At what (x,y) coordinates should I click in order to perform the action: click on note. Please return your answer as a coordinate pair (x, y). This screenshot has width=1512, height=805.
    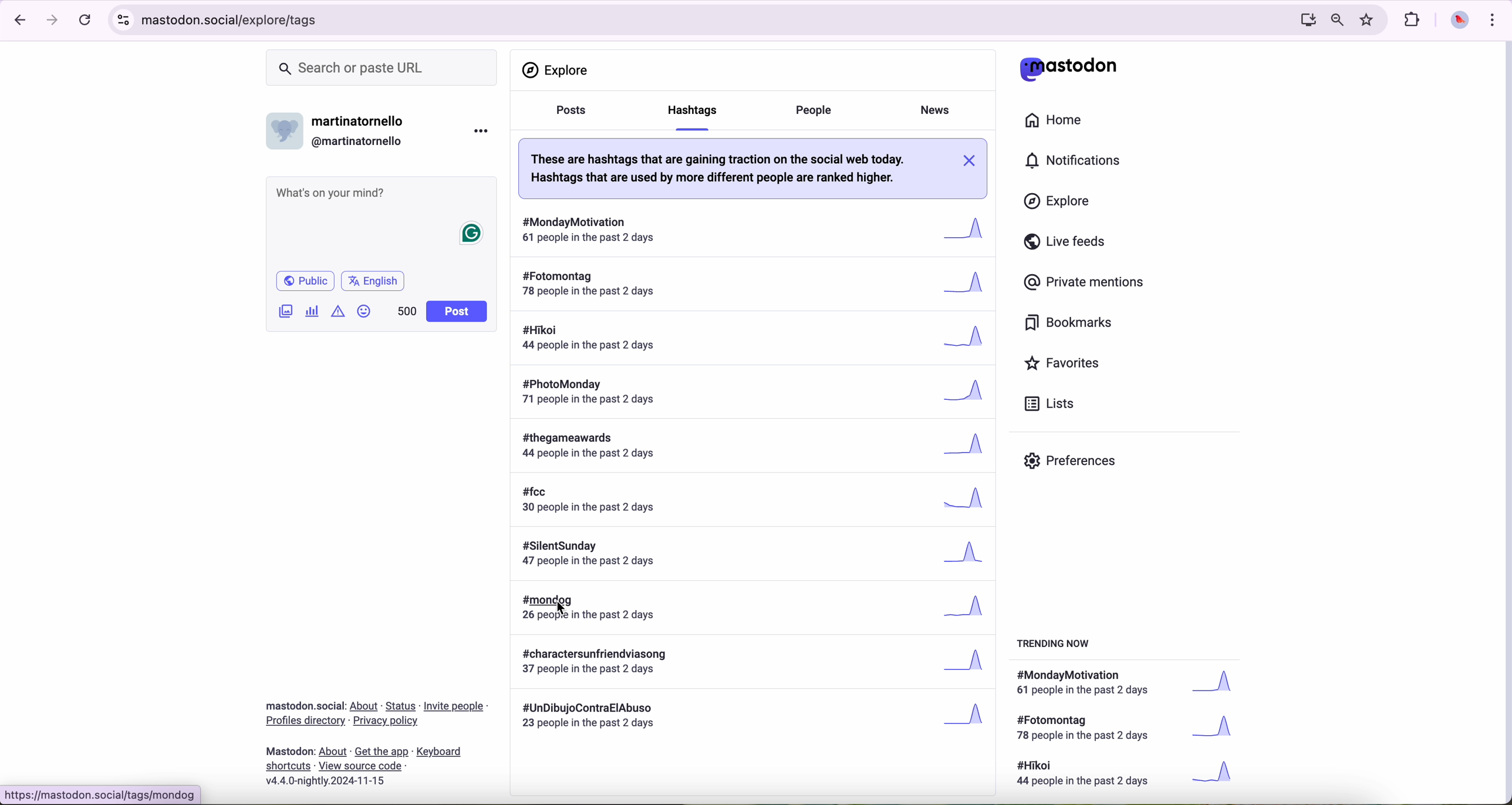
    Looking at the image, I should click on (733, 169).